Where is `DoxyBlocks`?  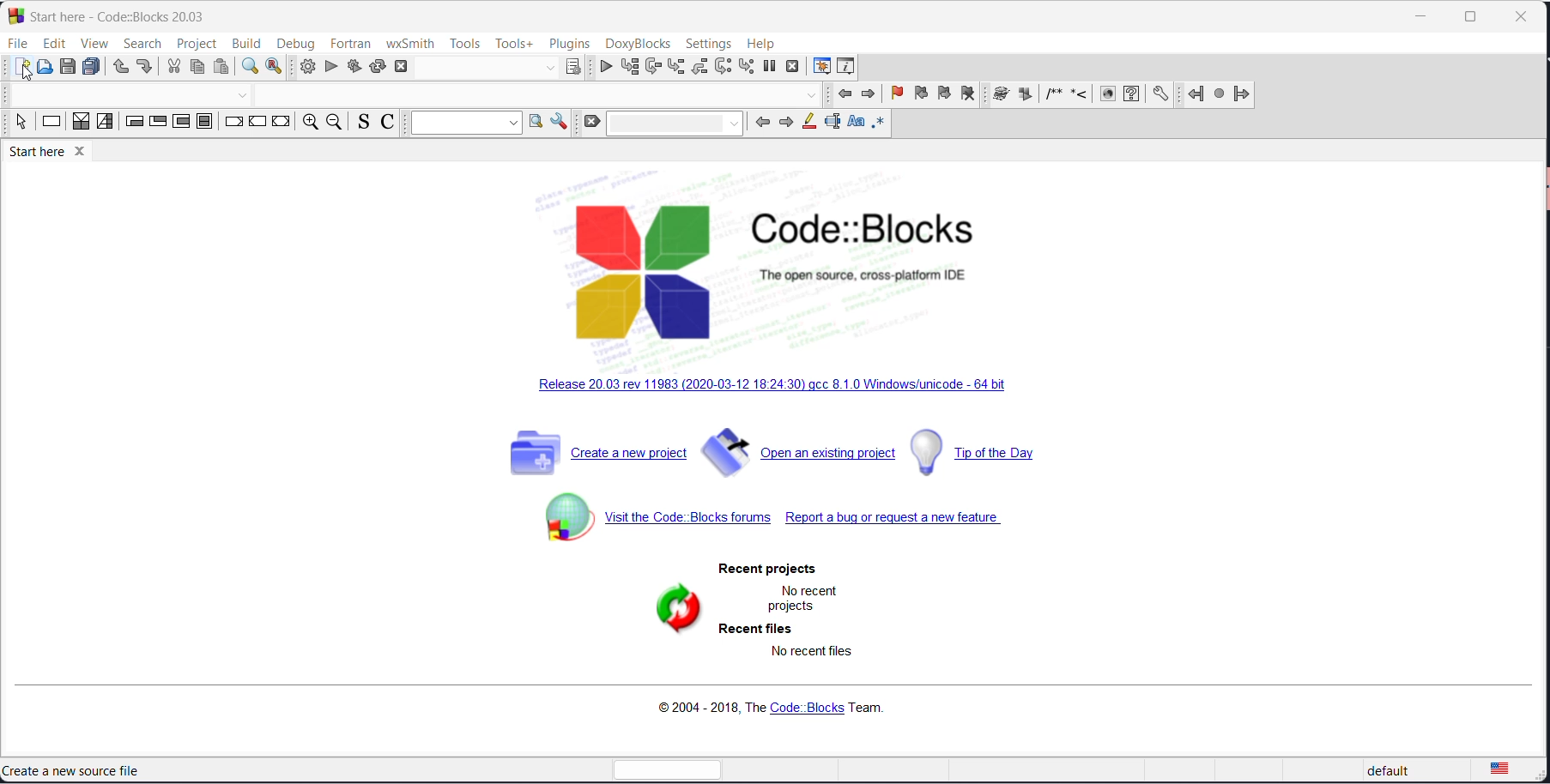 DoxyBlocks is located at coordinates (639, 44).